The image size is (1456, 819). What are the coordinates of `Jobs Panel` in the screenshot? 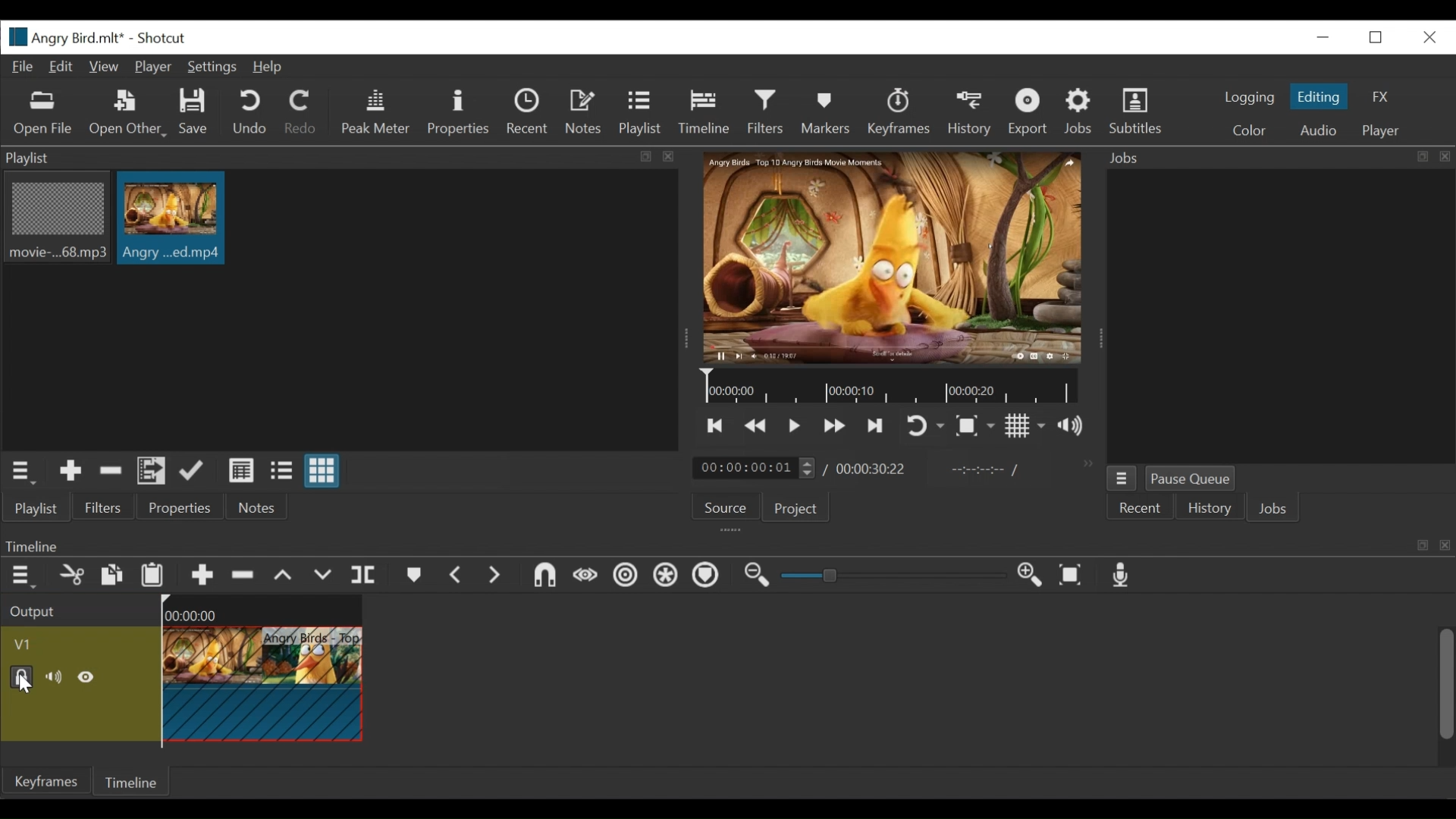 It's located at (1280, 318).